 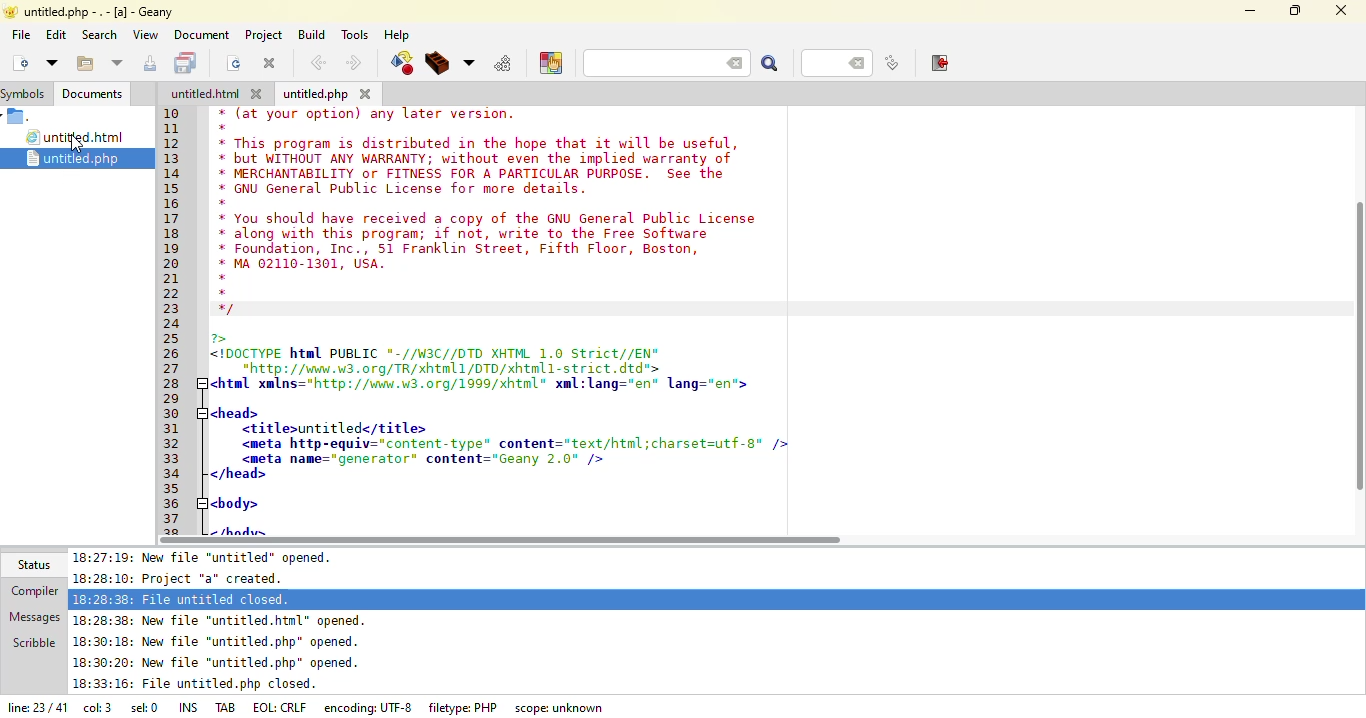 What do you see at coordinates (517, 321) in the screenshot?
I see `[Pe EEE RrESETI TS SHEERS SteenThis program is distributed in the hope that it will be useful,but WITHOUT ANY WARRANTY; without even the implied warranty ofMERCHANTABILITY or FITNESS FOR A PARTICULAR PURPOSE. See theGNU General Public License for more details.You should have received a copy of the GNU General Public Licensealong vith this program; if not, write to the Free SoftwareFoundation, Inc., 51 Franklin Street, Fifth Floor, Boston,MA 02110-1301, USA./DOCTYPE html PUBLIC “-//W3C//DTD XHTML 1.0 Strict//EN"1 ip Aa erg TA/ icimiL JOD Khel strict dedtml xmlns="http://wn.w3.org/1099/ xhtml" xml:lang="en" lang="en"scad><titlesuntitled</title><meta http-equiv="content-type’ content="text/htnl;charset=utf-8* /><meta name="generator” content="Geany 2.0" />head>body` at bounding box center [517, 321].